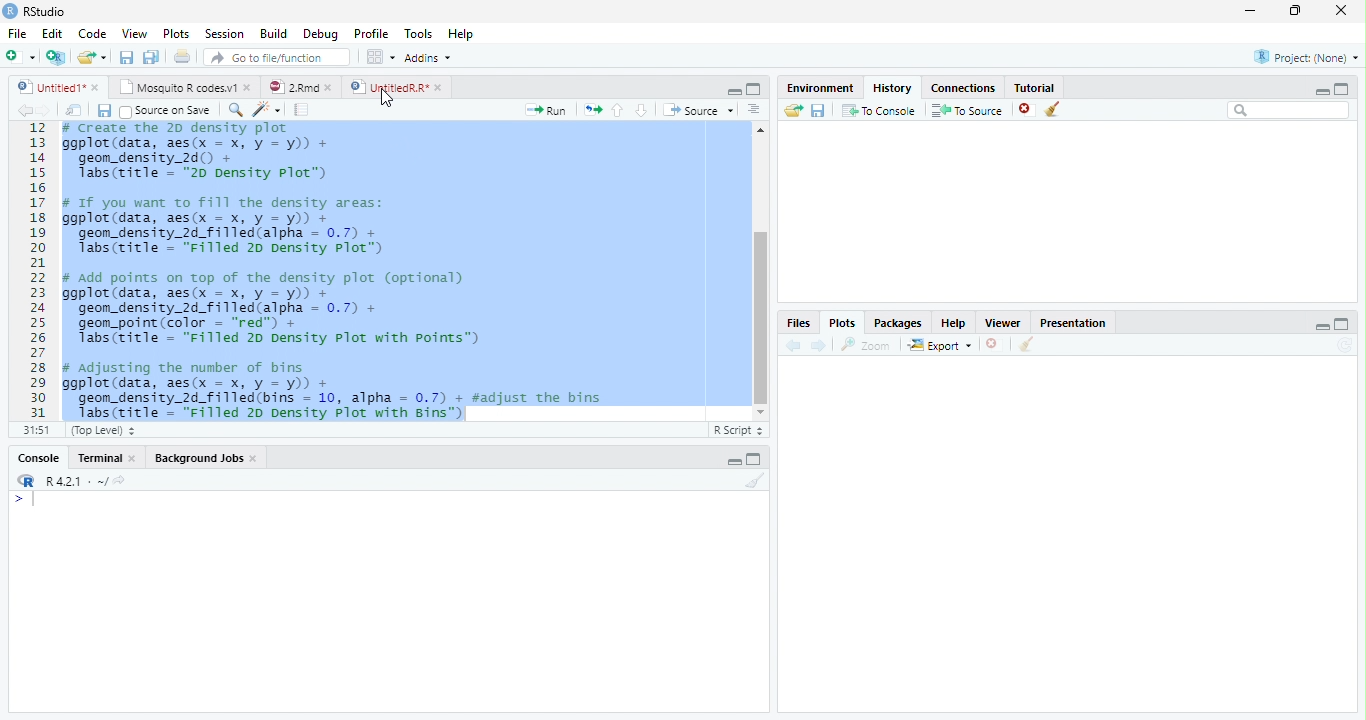  What do you see at coordinates (460, 35) in the screenshot?
I see `Help` at bounding box center [460, 35].